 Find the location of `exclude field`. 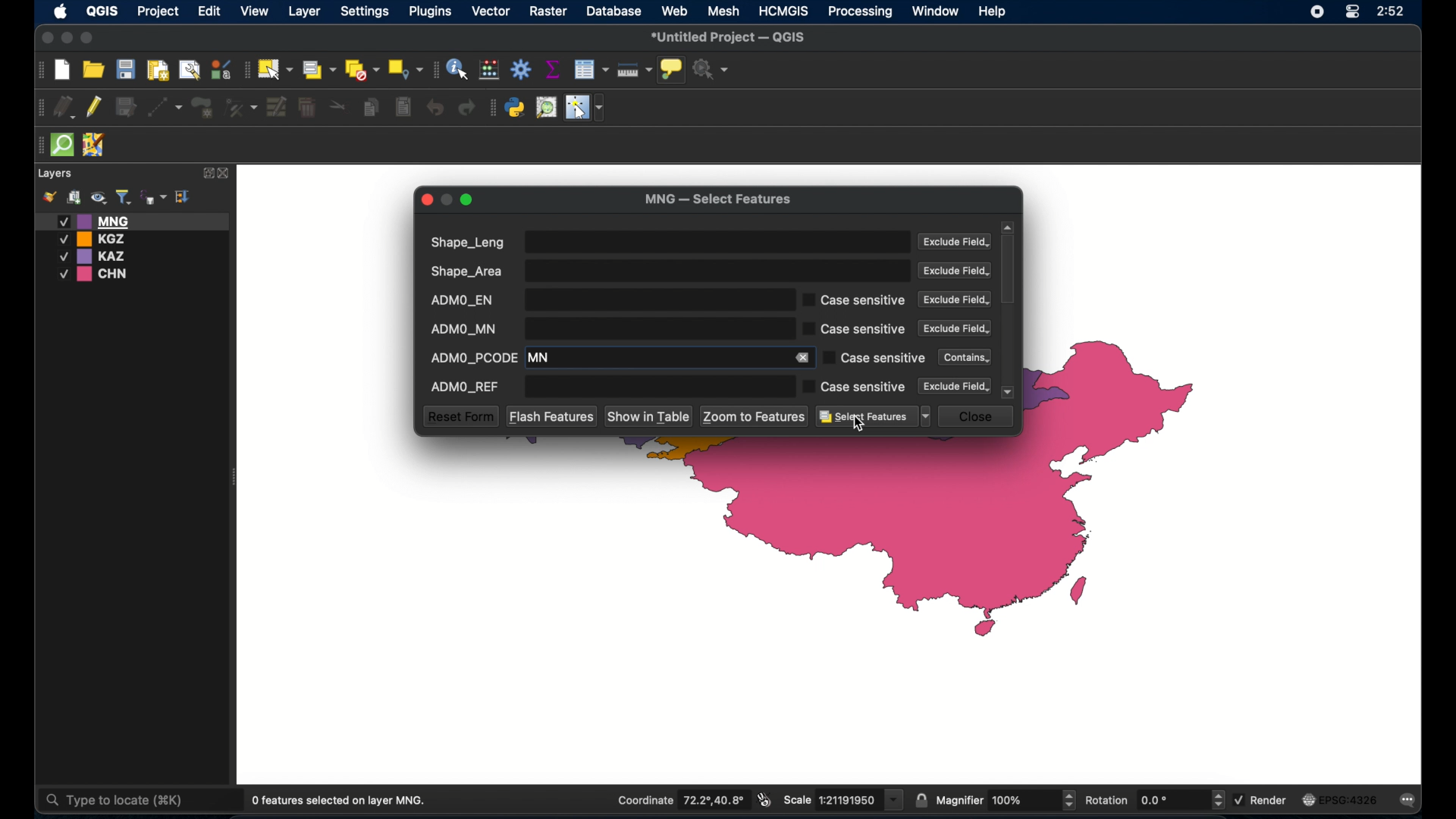

exclude field is located at coordinates (956, 243).